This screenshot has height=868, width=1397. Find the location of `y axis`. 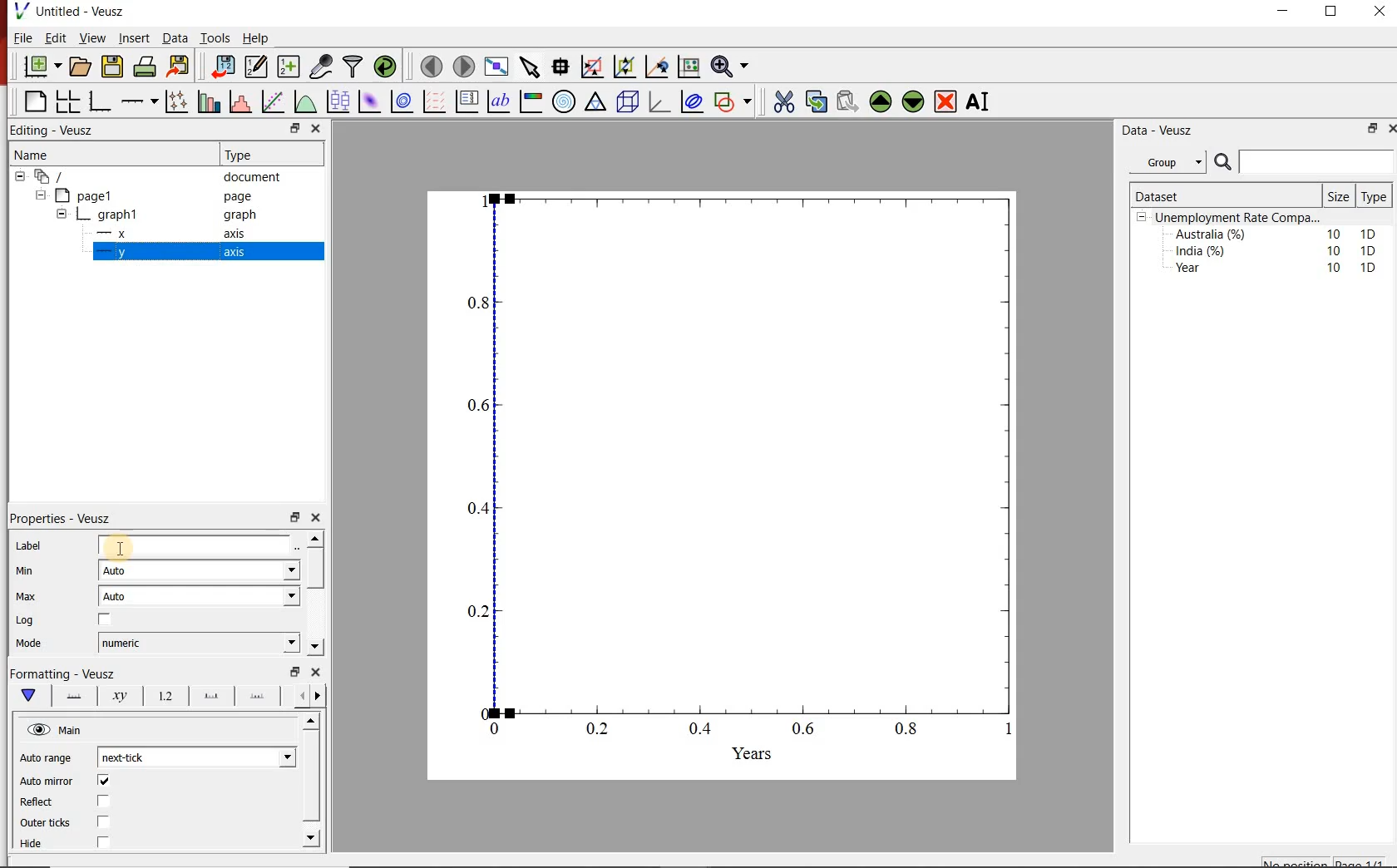

y axis is located at coordinates (180, 253).